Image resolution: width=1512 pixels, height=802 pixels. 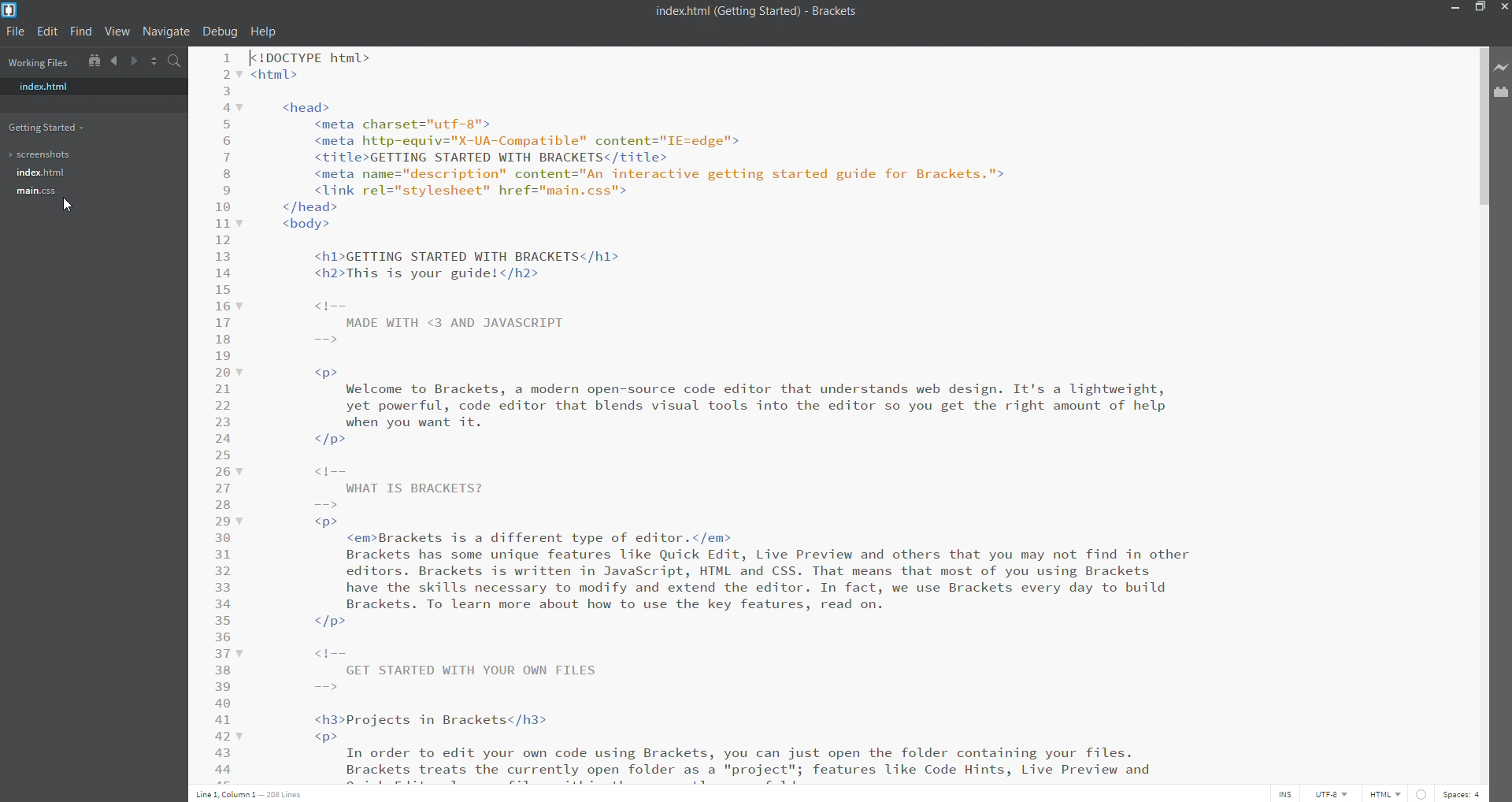 I want to click on line number, so click(x=221, y=412).